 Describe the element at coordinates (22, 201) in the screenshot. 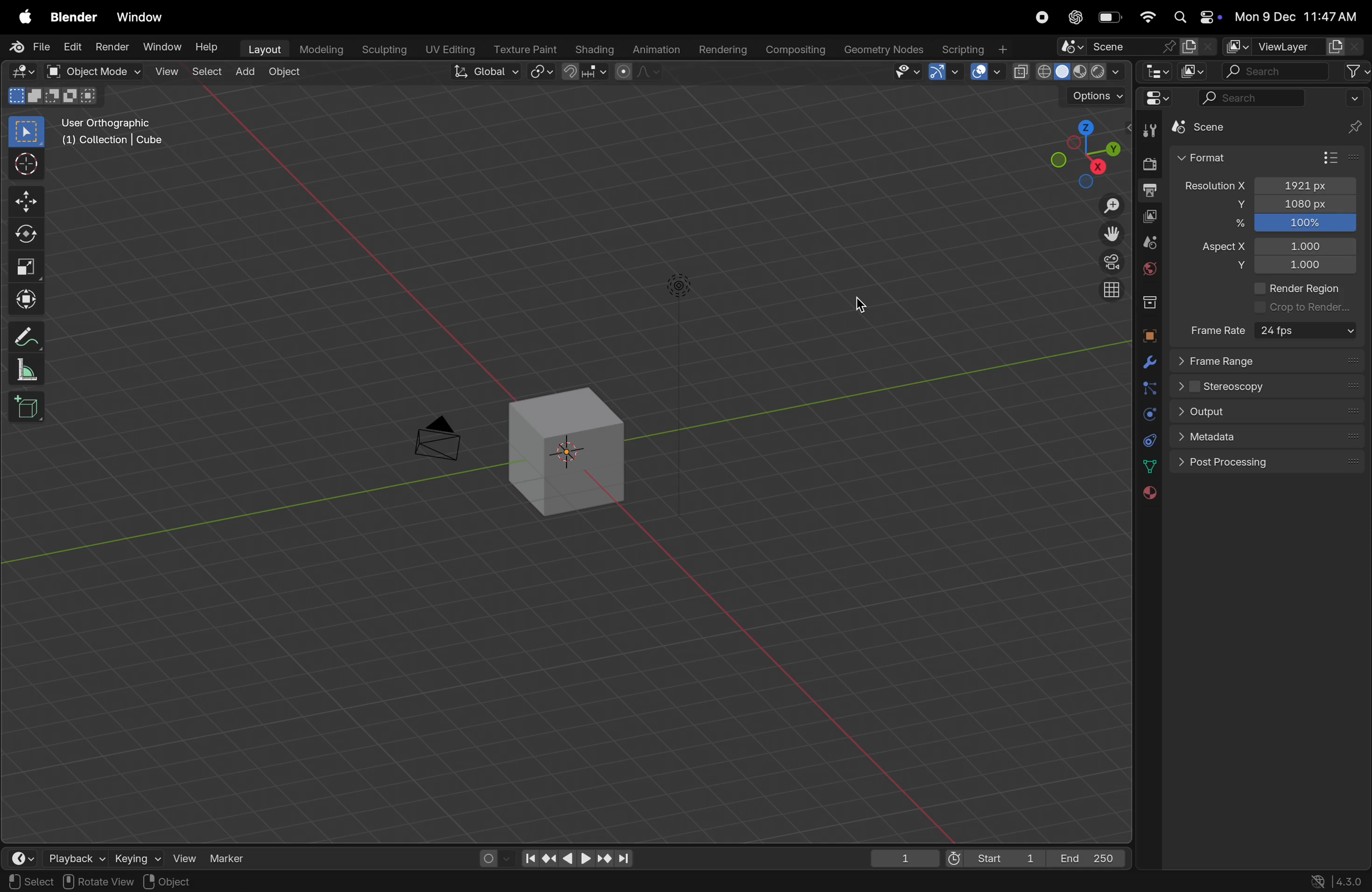

I see `move` at that location.